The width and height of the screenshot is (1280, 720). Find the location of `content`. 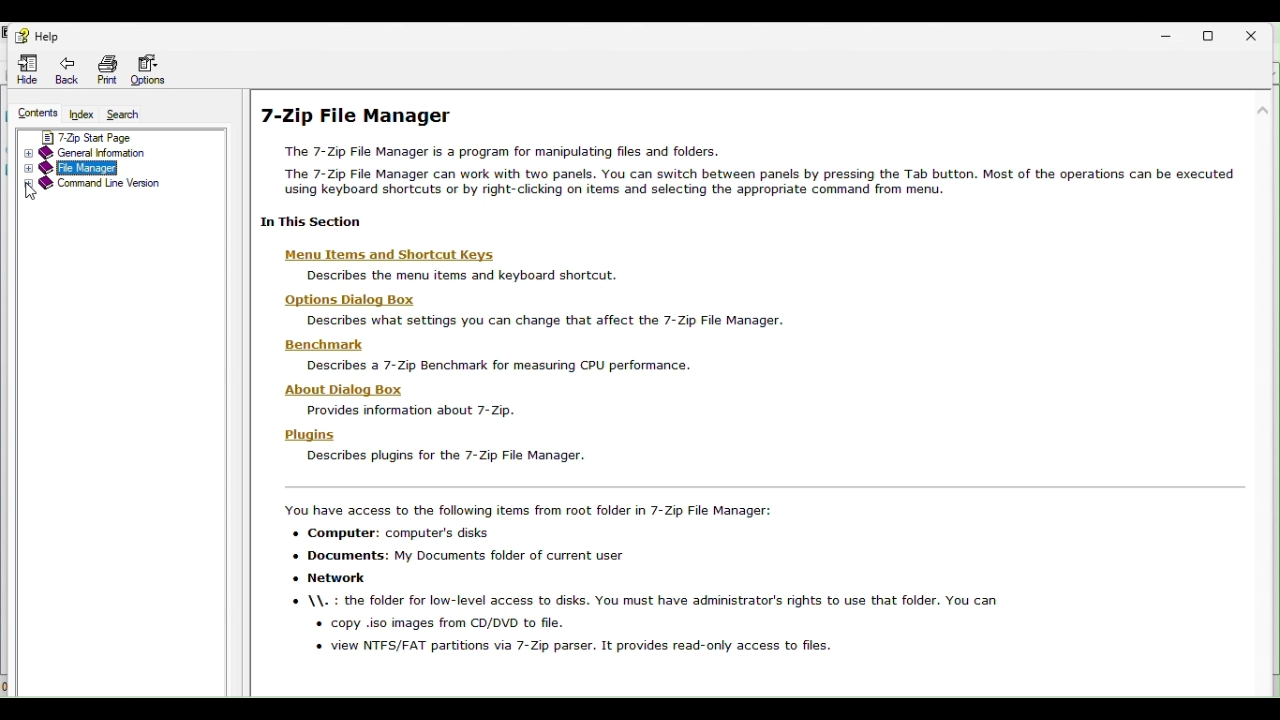

content is located at coordinates (32, 113).